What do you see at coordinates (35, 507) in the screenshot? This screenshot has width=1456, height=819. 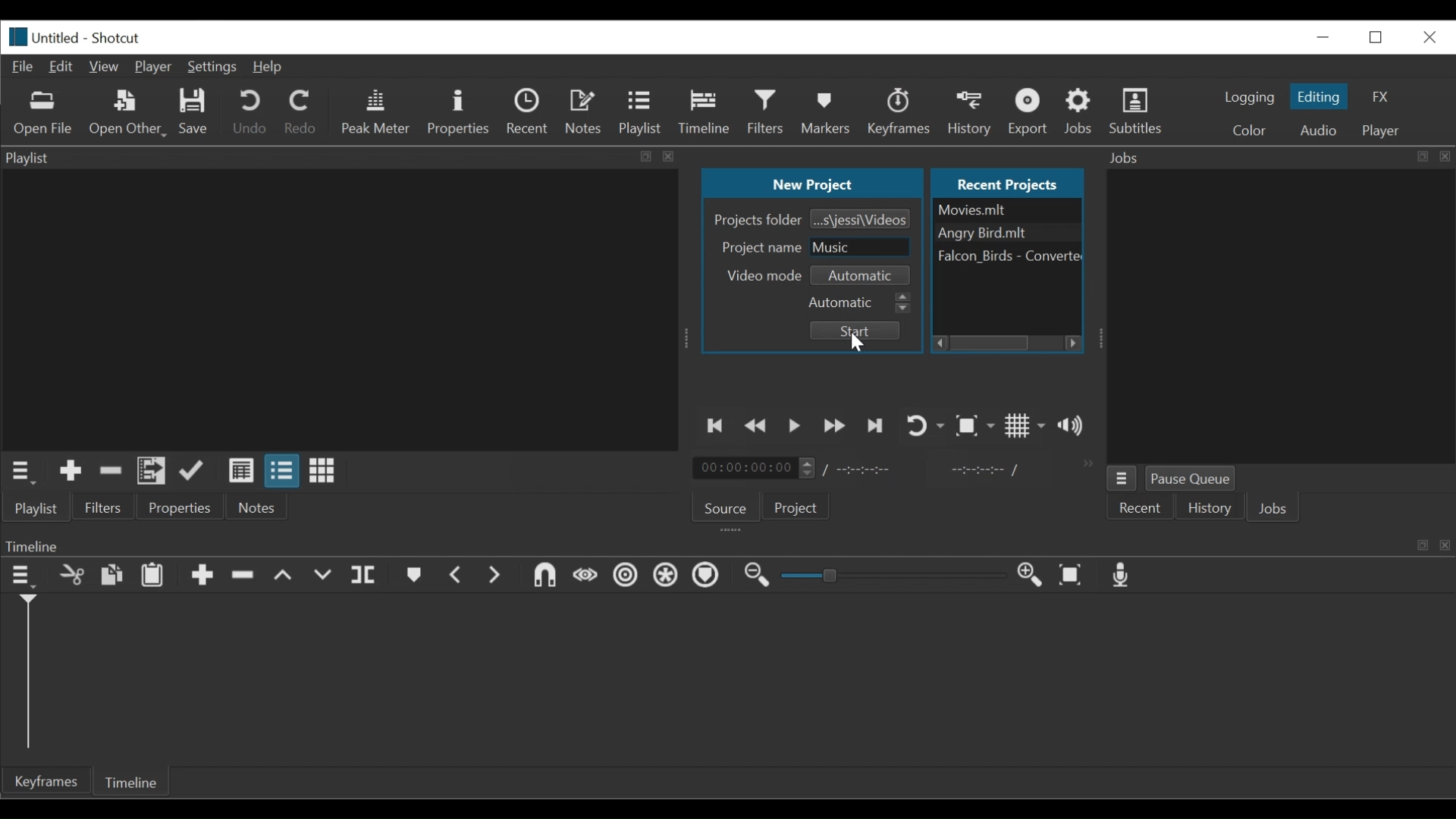 I see `Playlist` at bounding box center [35, 507].